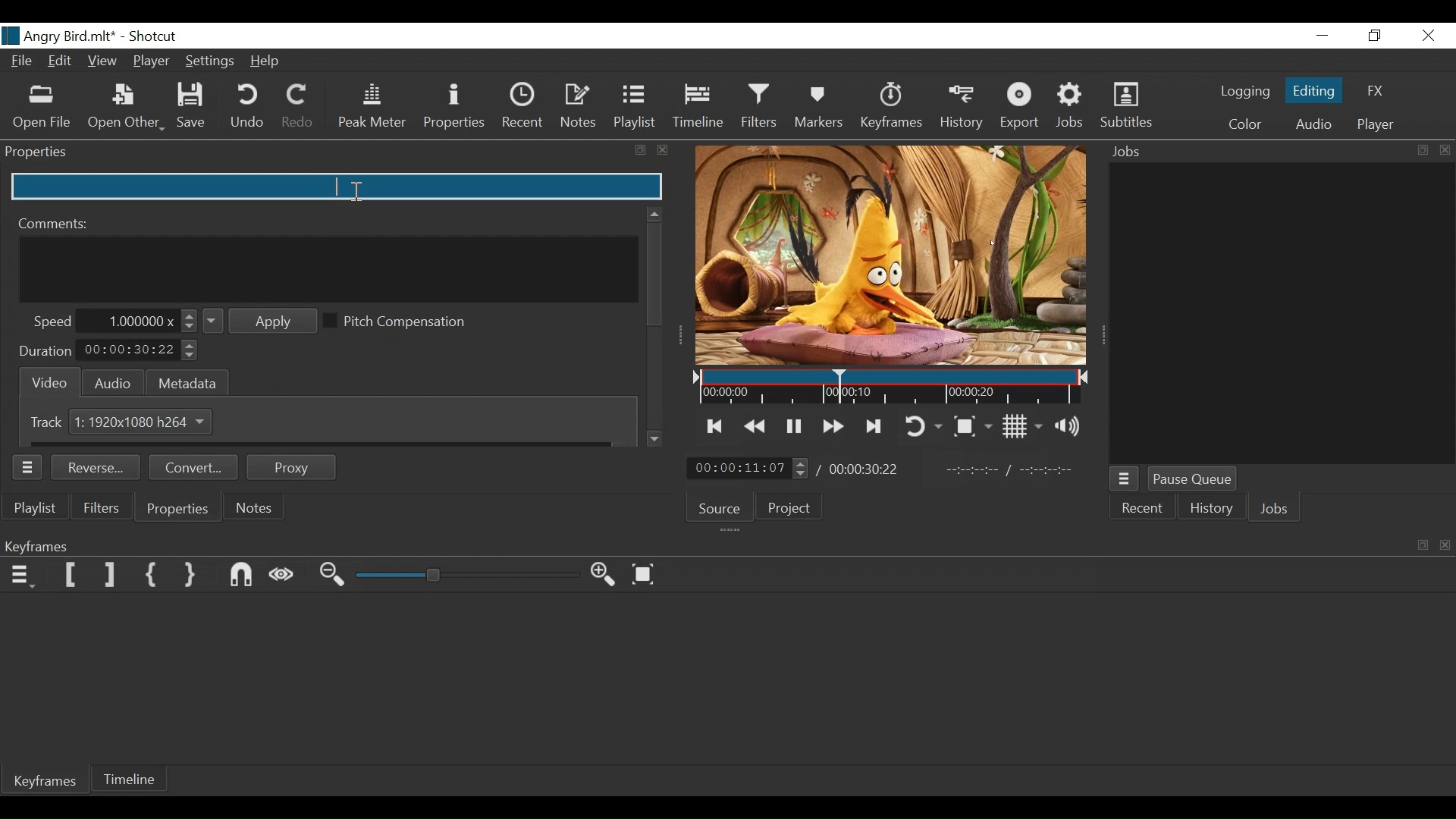  What do you see at coordinates (153, 36) in the screenshot?
I see `Shotcut` at bounding box center [153, 36].